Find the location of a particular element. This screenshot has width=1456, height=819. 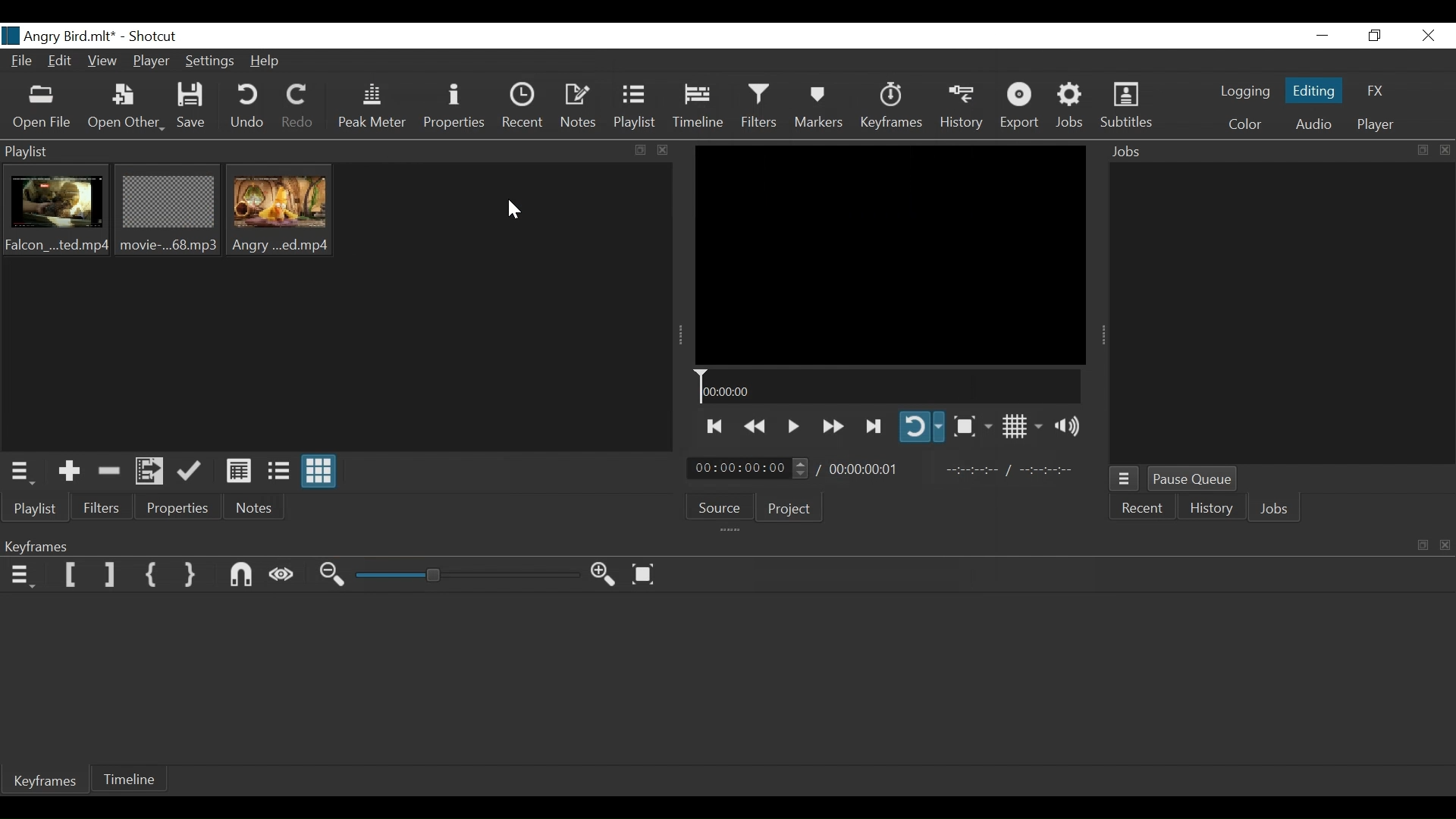

Properties is located at coordinates (456, 108).